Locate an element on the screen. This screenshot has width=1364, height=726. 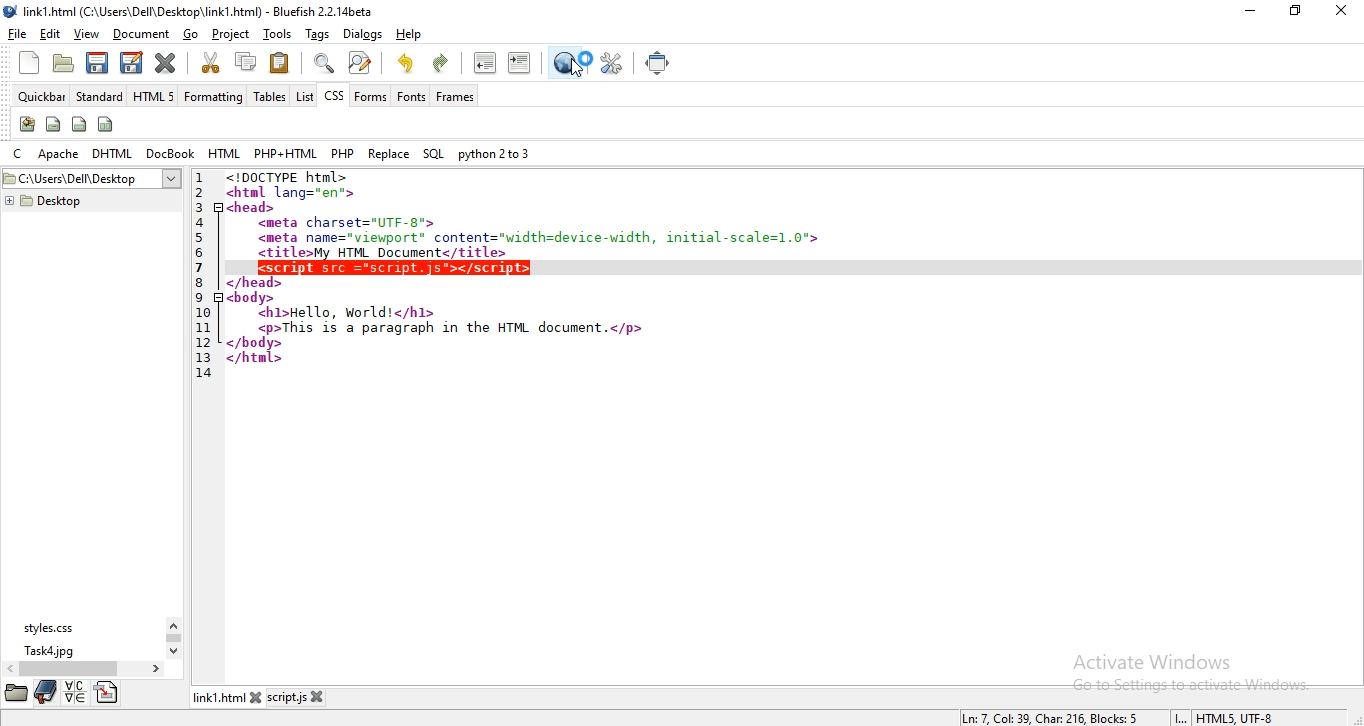
code is located at coordinates (527, 214).